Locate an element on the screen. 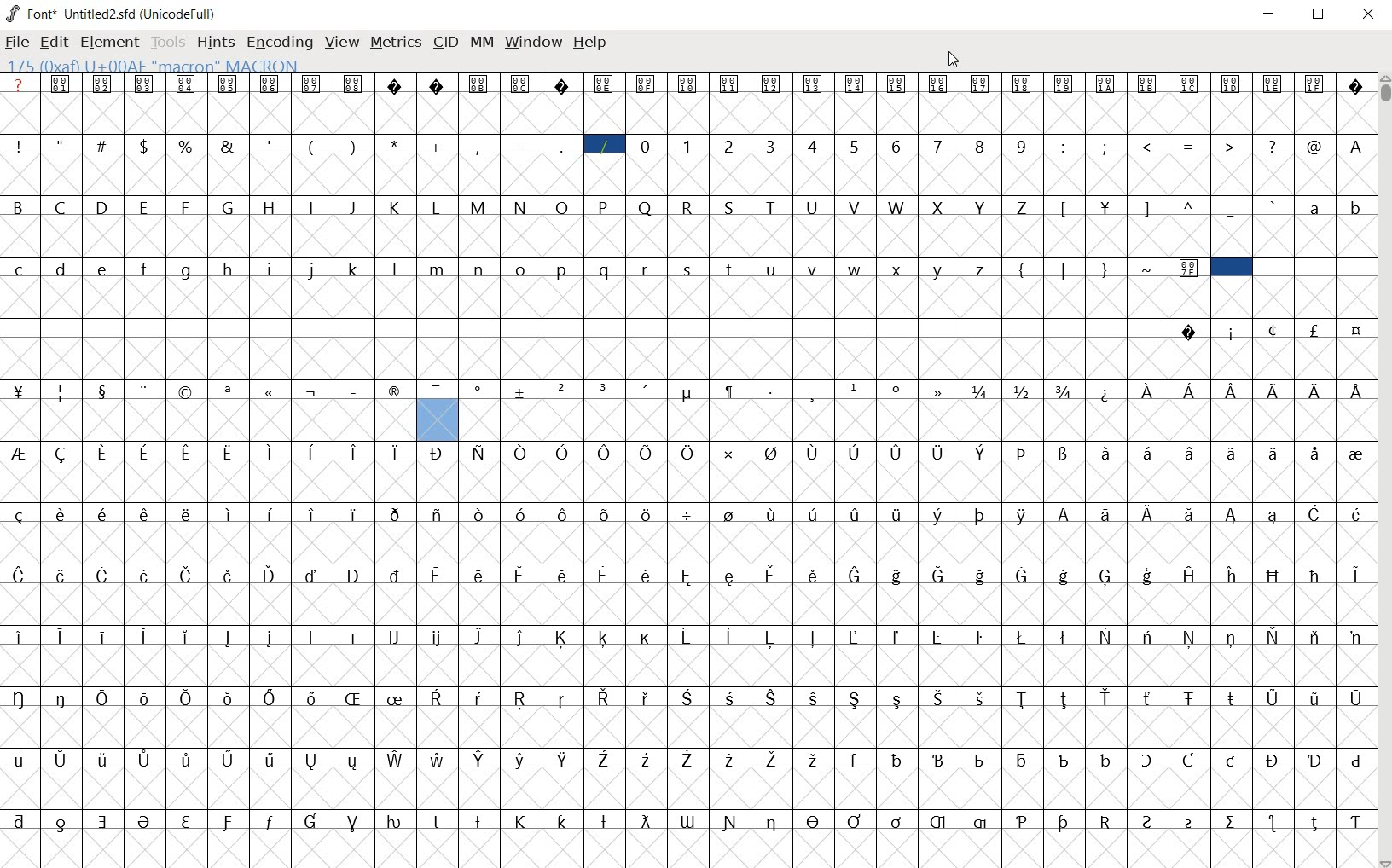 The height and width of the screenshot is (868, 1392). Symbol is located at coordinates (1232, 85).